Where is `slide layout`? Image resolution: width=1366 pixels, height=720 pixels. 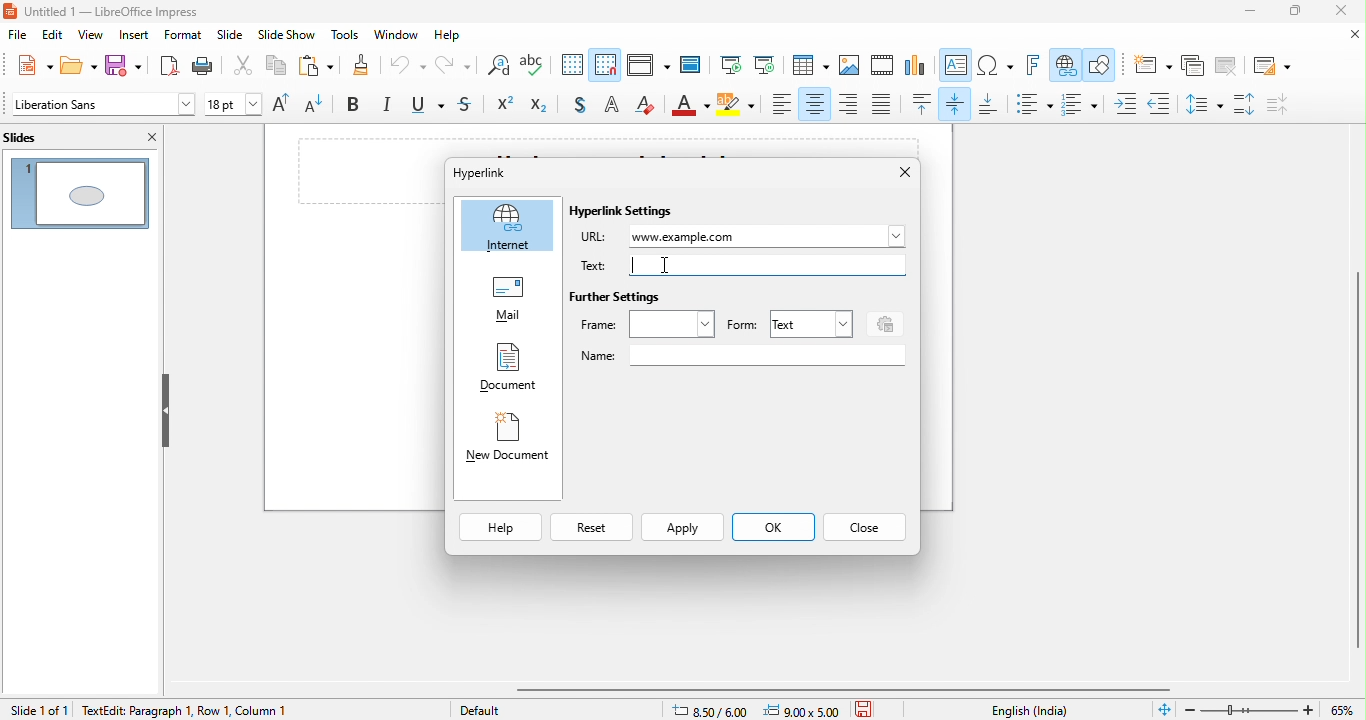 slide layout is located at coordinates (1269, 64).